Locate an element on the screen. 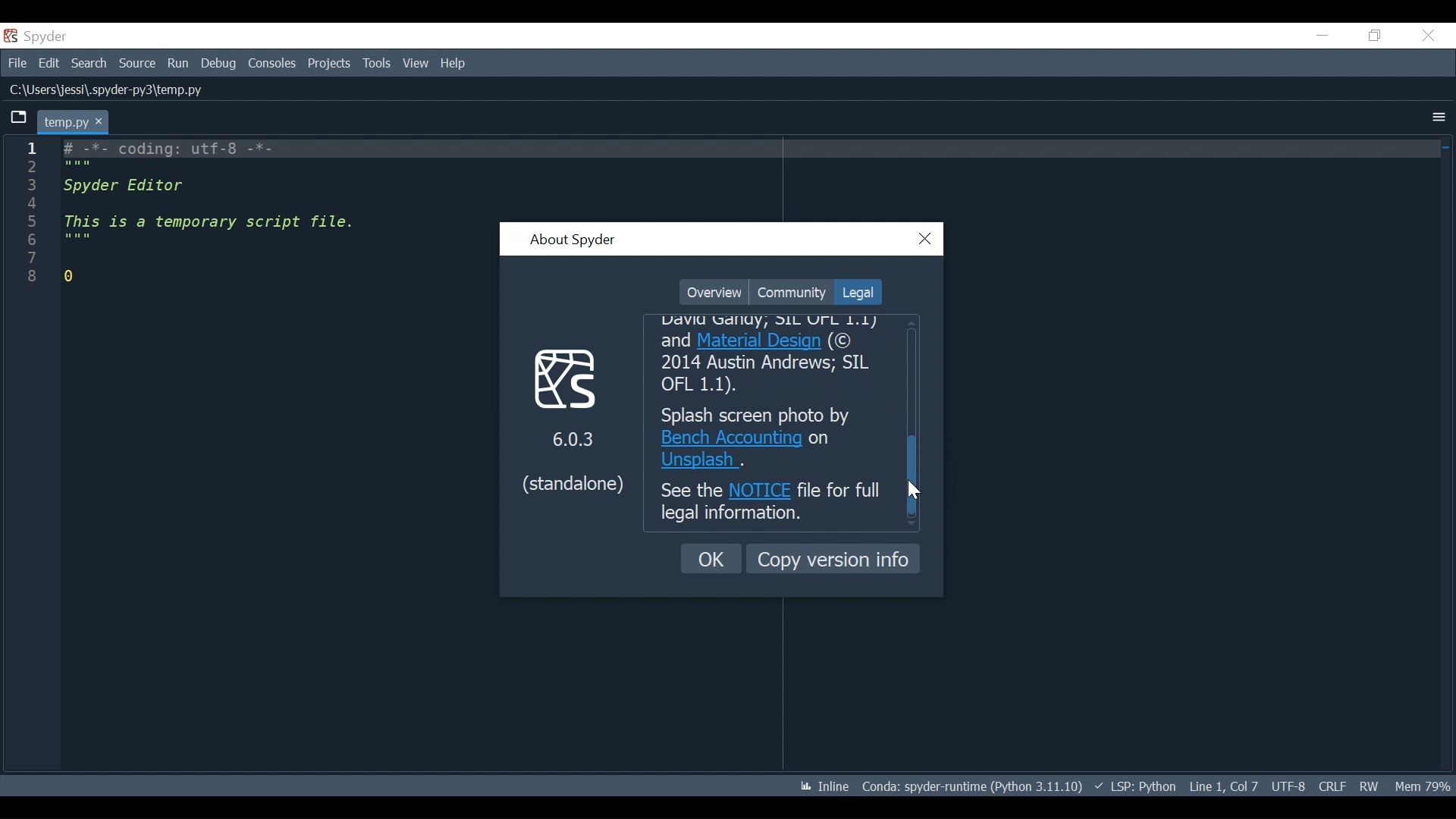  Splash screen photo by Bench Accounting on Unsplash is located at coordinates (772, 438).